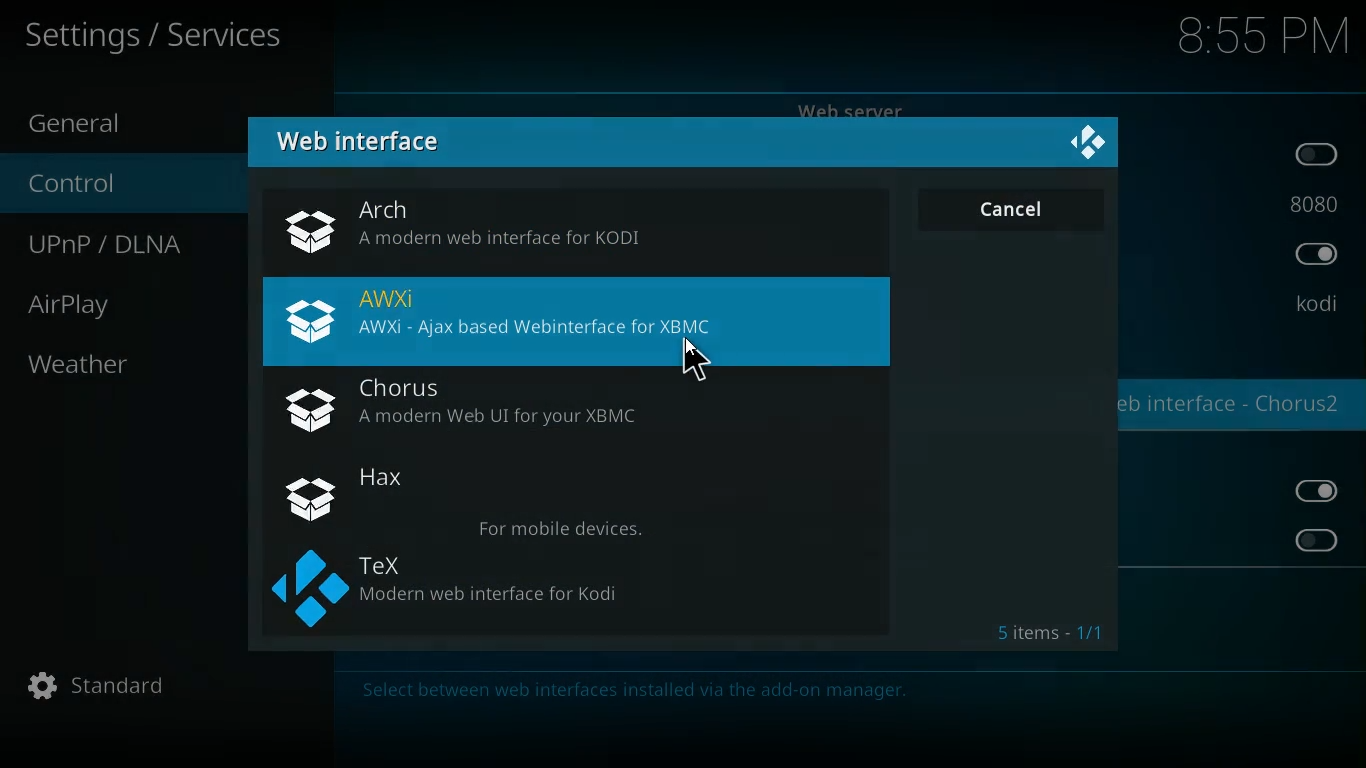 This screenshot has width=1366, height=768. I want to click on chorus, so click(575, 408).